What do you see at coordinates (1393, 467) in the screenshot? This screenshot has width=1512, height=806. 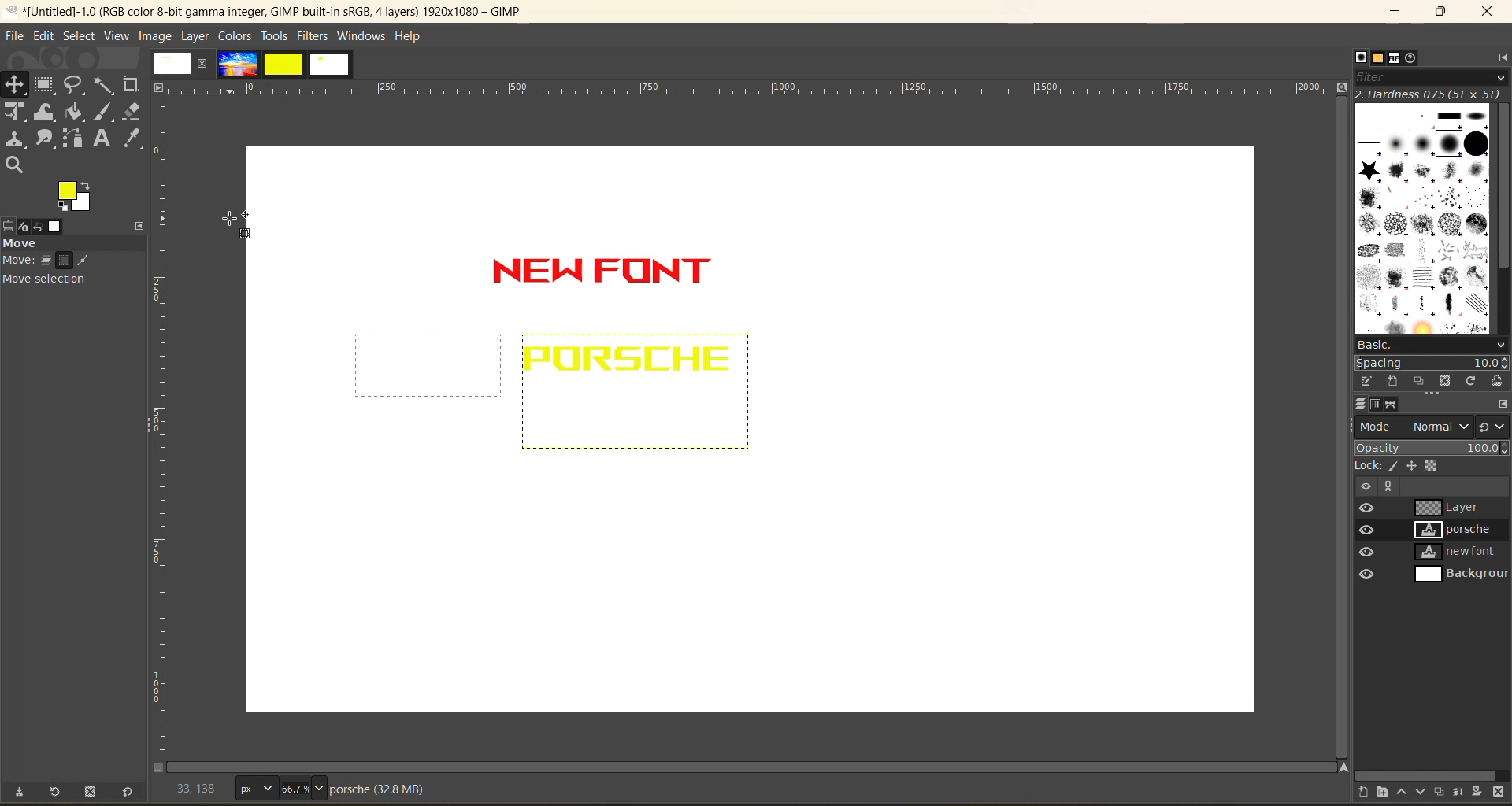 I see `pixel` at bounding box center [1393, 467].